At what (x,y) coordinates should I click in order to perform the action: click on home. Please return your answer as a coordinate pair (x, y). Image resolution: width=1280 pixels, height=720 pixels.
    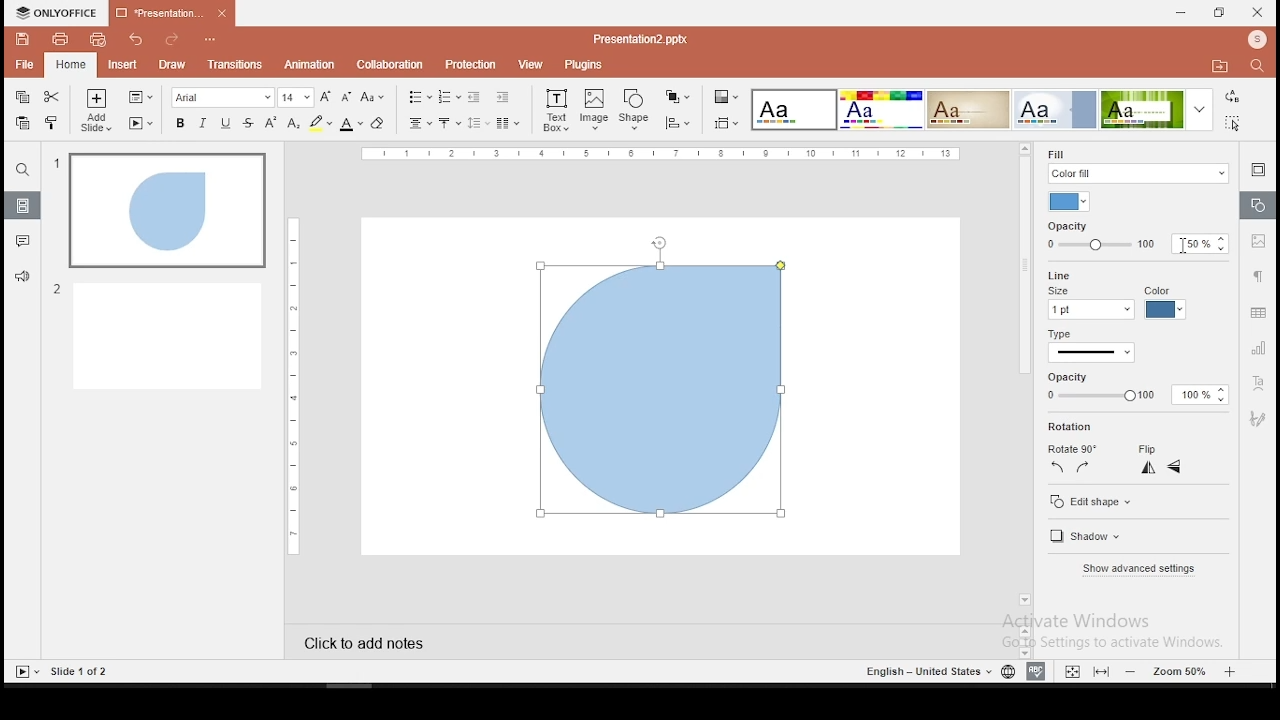
    Looking at the image, I should click on (70, 66).